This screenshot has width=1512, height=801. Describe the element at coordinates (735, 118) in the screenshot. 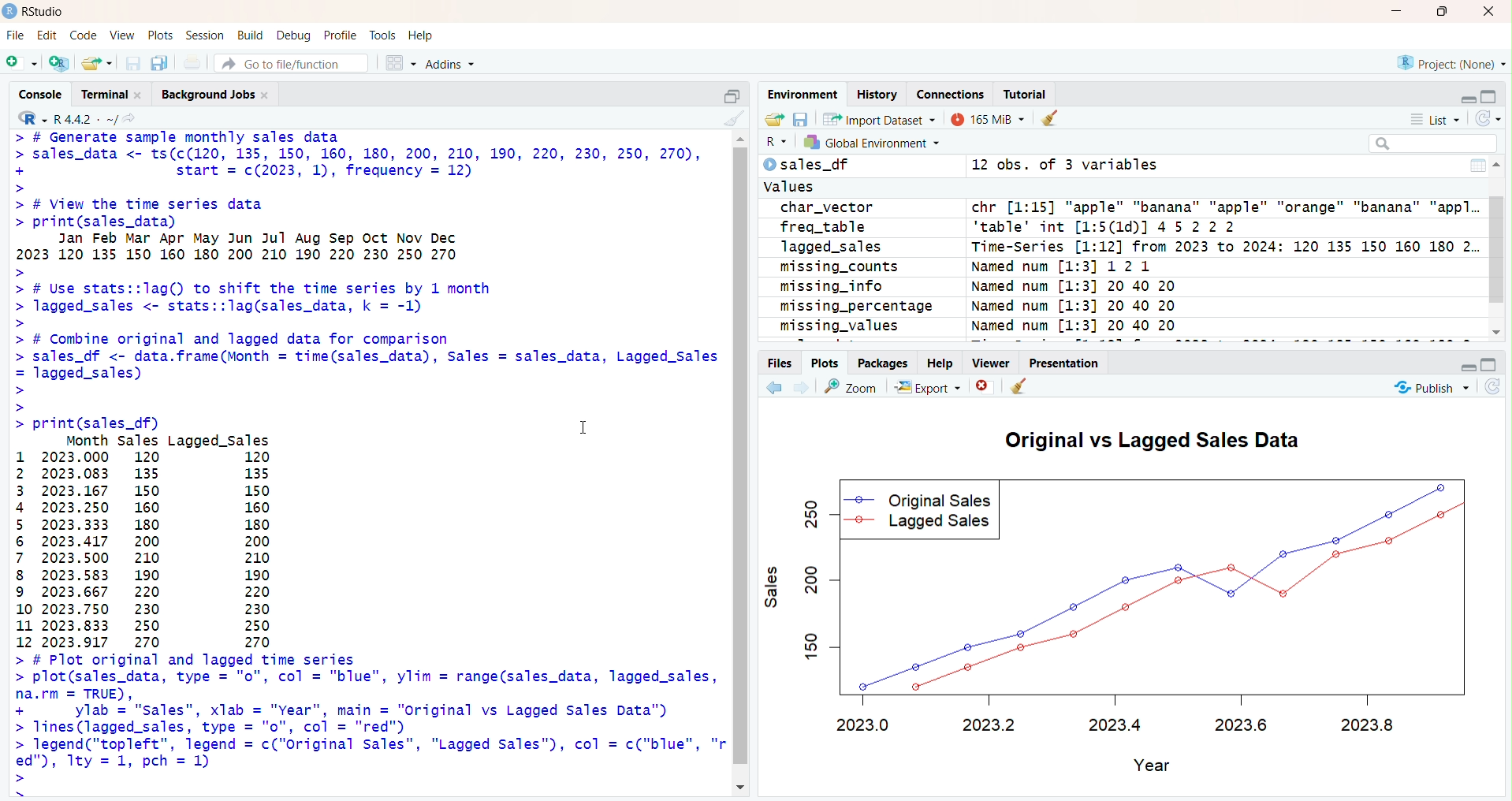

I see `clear console` at that location.